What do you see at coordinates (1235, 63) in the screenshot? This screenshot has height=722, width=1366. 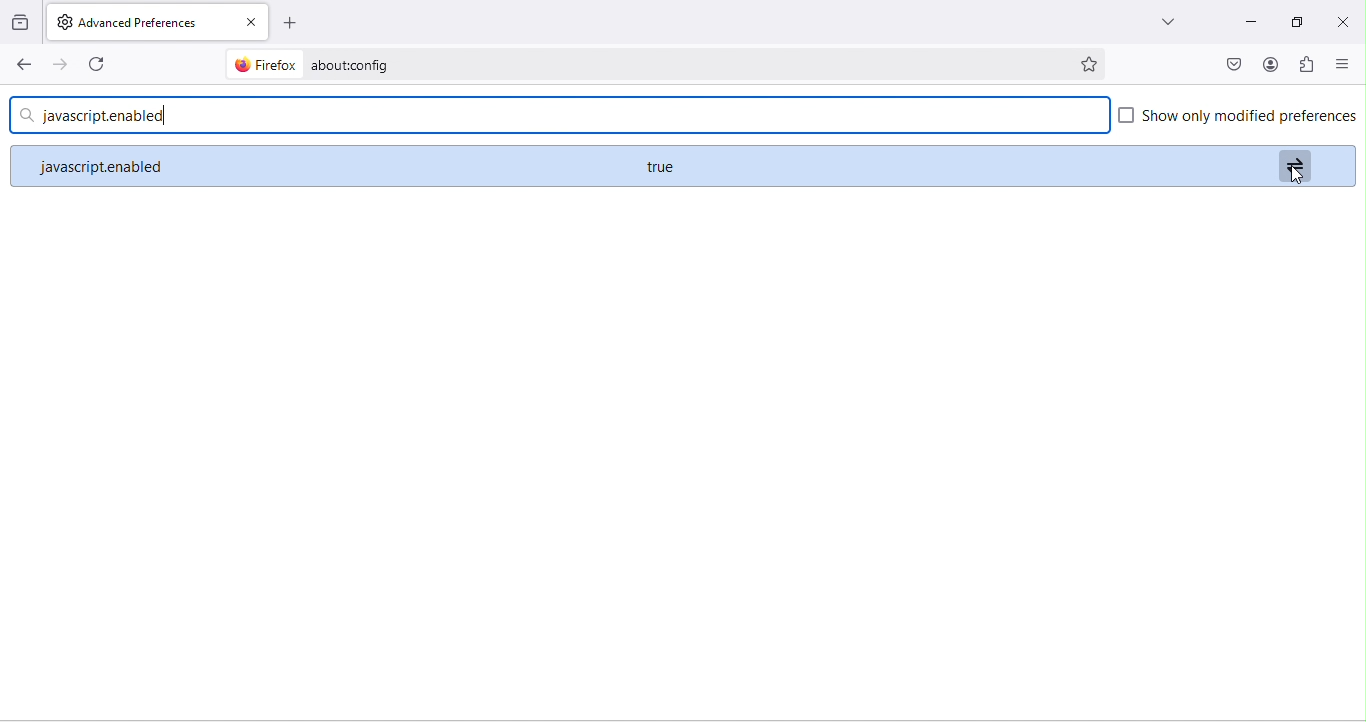 I see `pocket` at bounding box center [1235, 63].